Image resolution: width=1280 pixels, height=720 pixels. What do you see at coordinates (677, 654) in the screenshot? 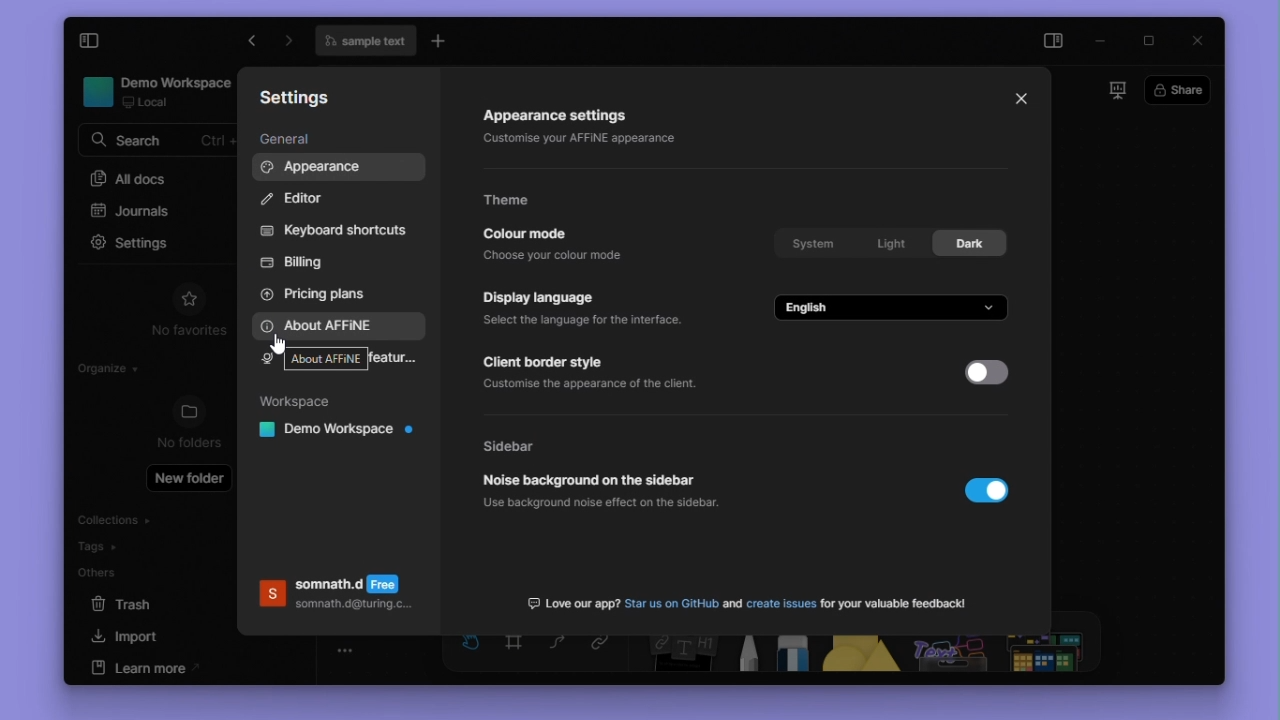
I see `Note` at bounding box center [677, 654].